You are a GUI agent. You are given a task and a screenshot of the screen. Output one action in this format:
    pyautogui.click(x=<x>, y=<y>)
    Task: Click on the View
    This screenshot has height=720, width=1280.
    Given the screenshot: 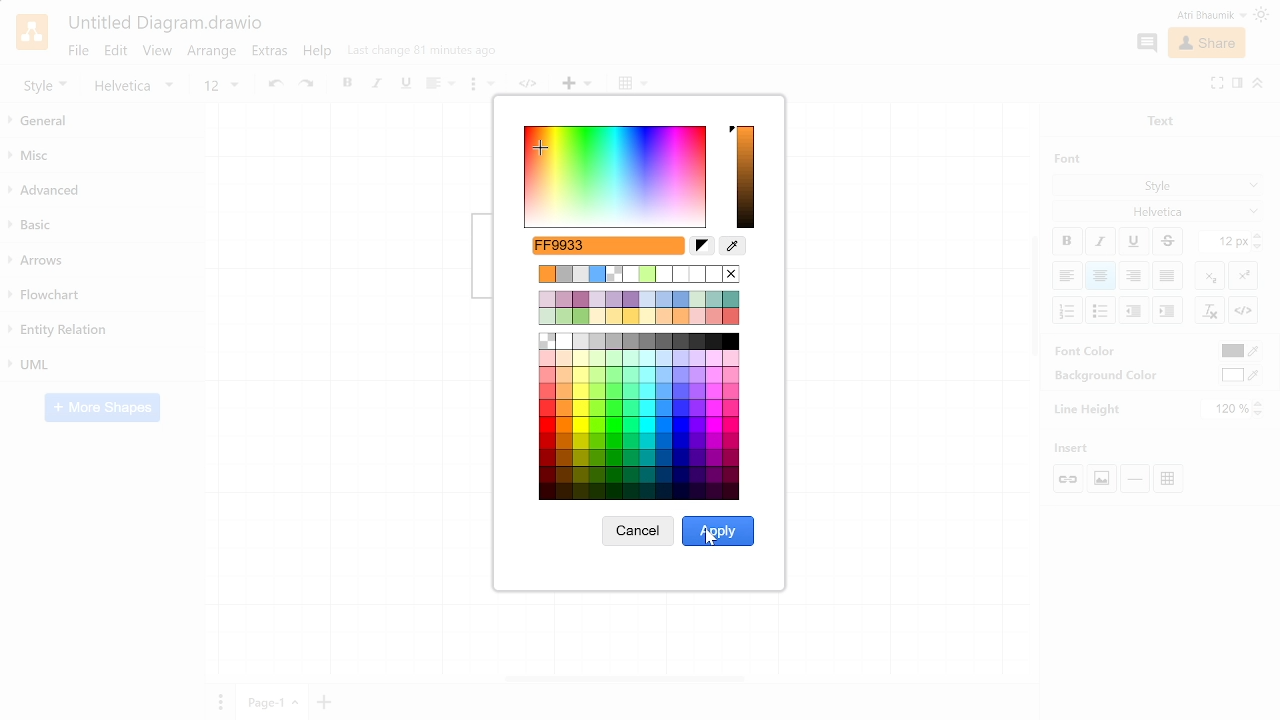 What is the action you would take?
    pyautogui.click(x=158, y=53)
    